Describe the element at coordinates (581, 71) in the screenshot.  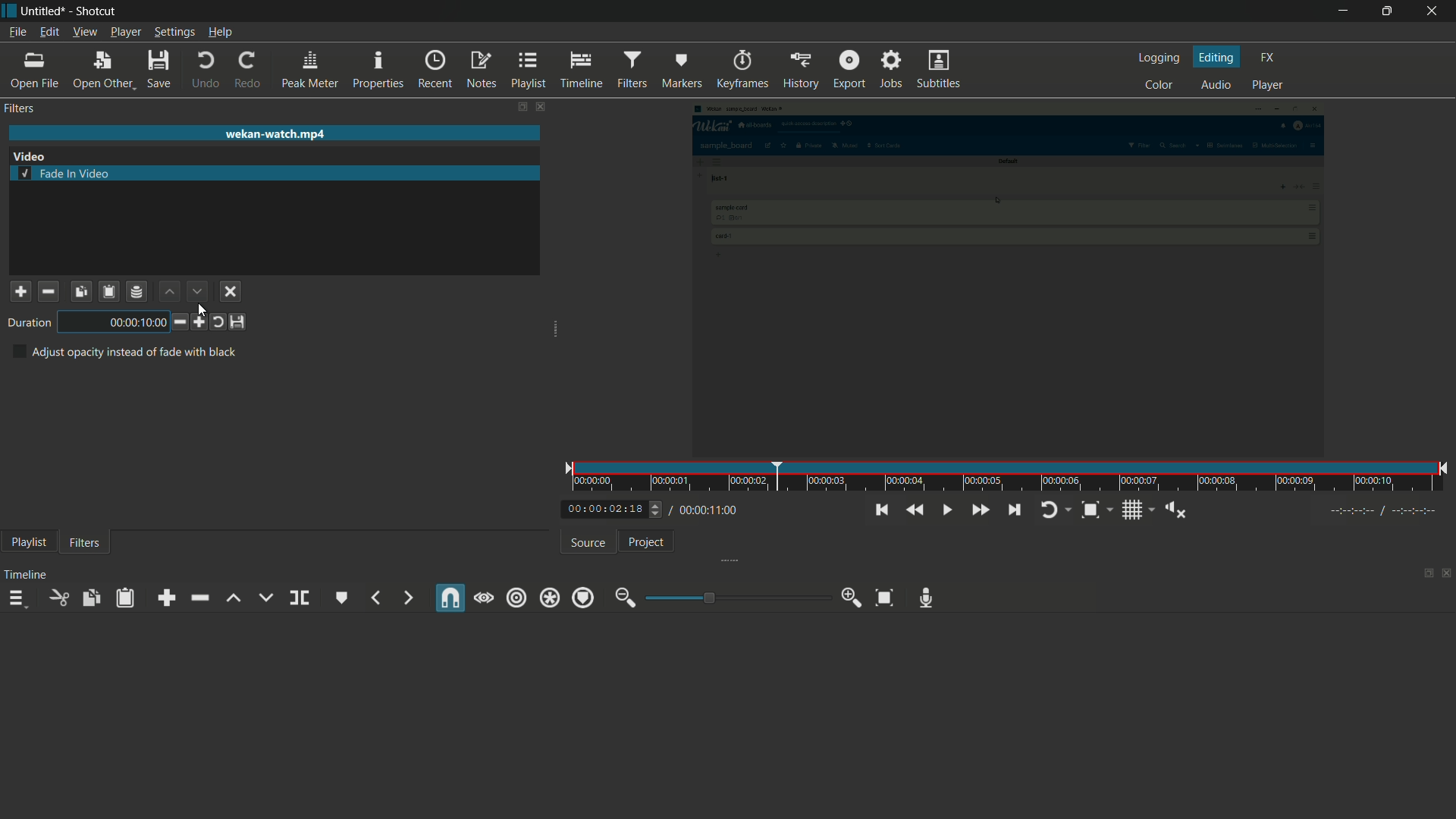
I see `timeline` at that location.